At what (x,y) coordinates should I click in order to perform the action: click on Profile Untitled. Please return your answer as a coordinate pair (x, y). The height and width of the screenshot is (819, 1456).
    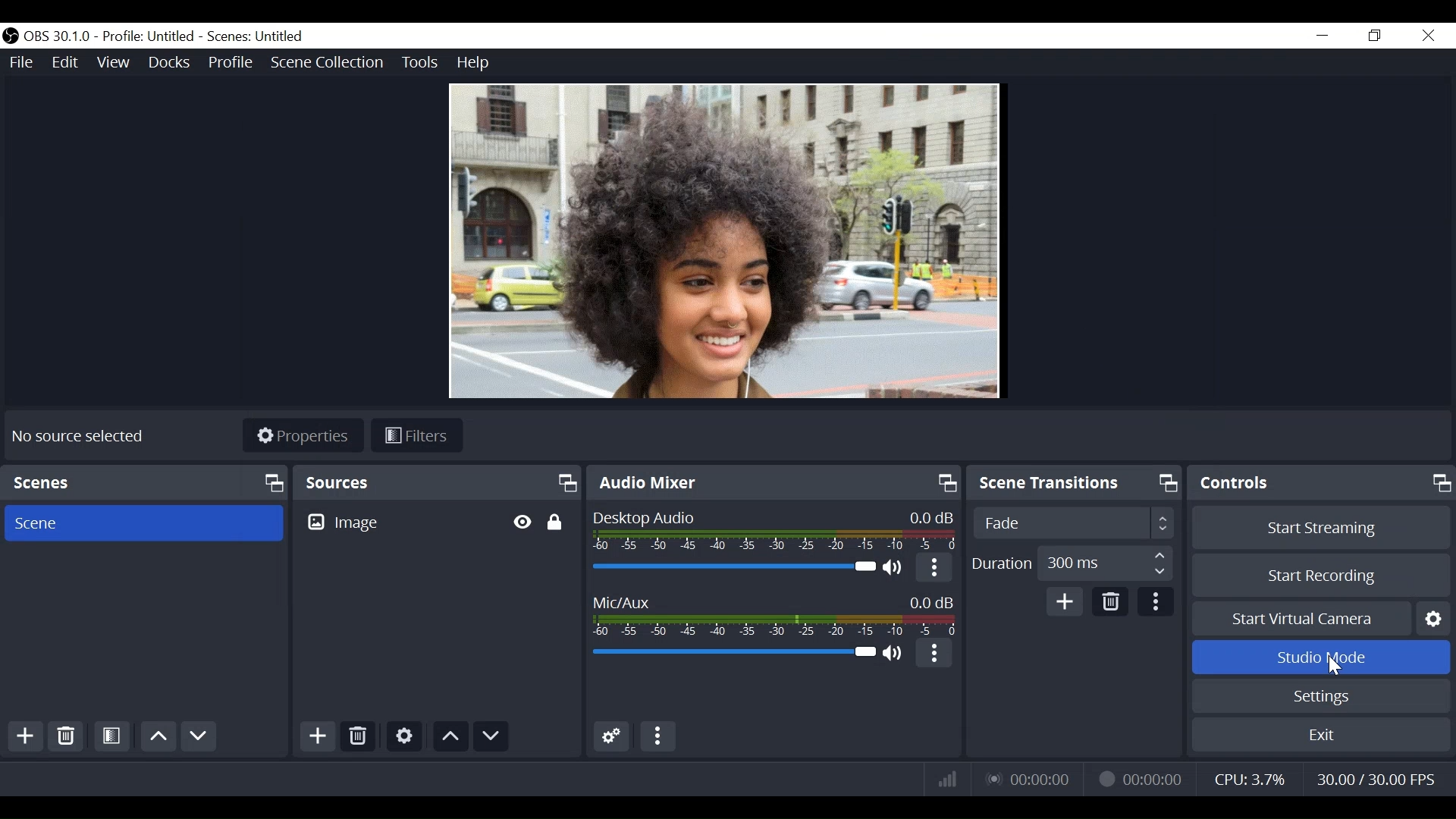
    Looking at the image, I should click on (147, 36).